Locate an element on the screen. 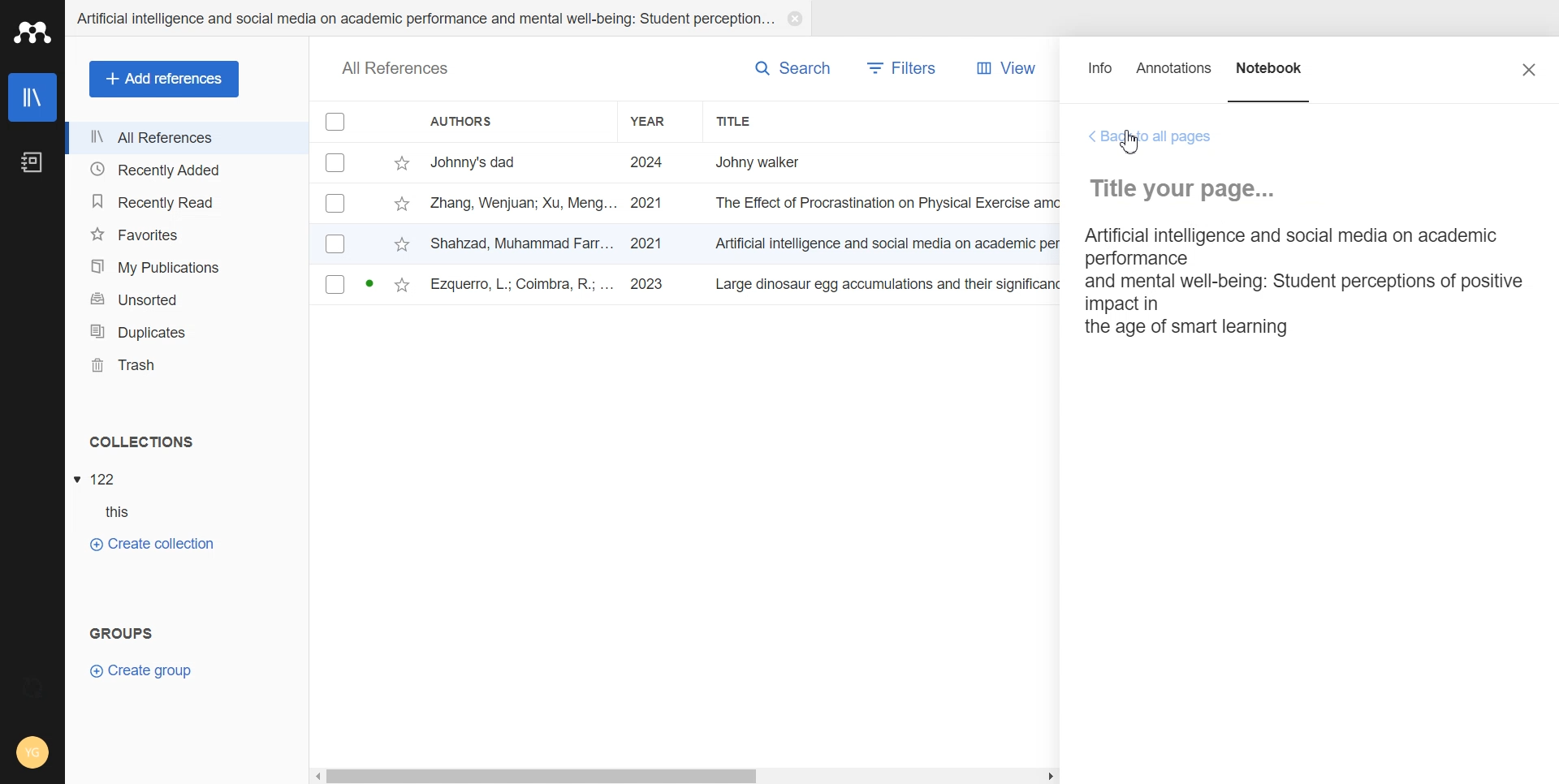 This screenshot has height=784, width=1559. Create Collection is located at coordinates (151, 543).